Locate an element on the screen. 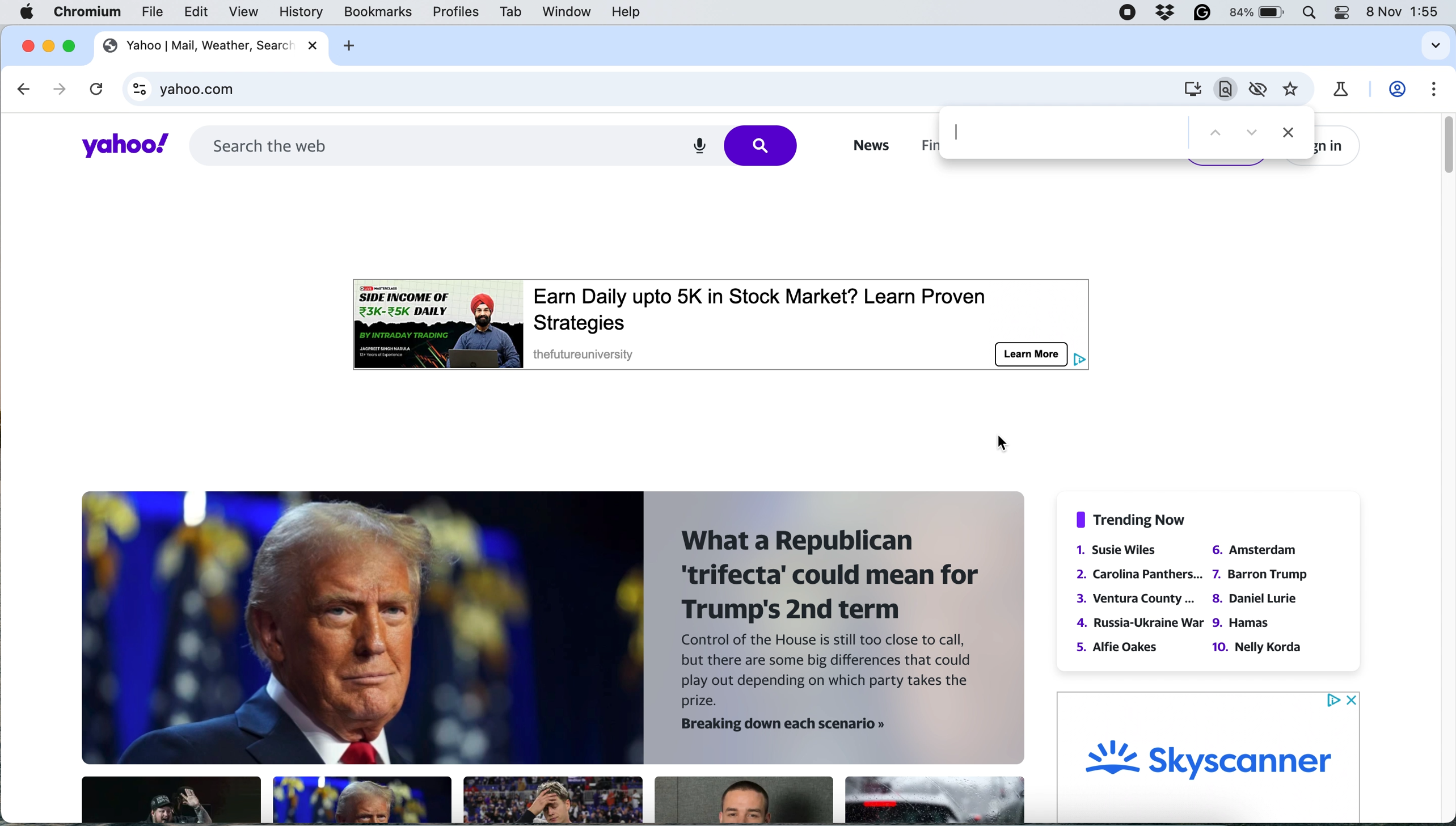  spotlight search is located at coordinates (1310, 13).